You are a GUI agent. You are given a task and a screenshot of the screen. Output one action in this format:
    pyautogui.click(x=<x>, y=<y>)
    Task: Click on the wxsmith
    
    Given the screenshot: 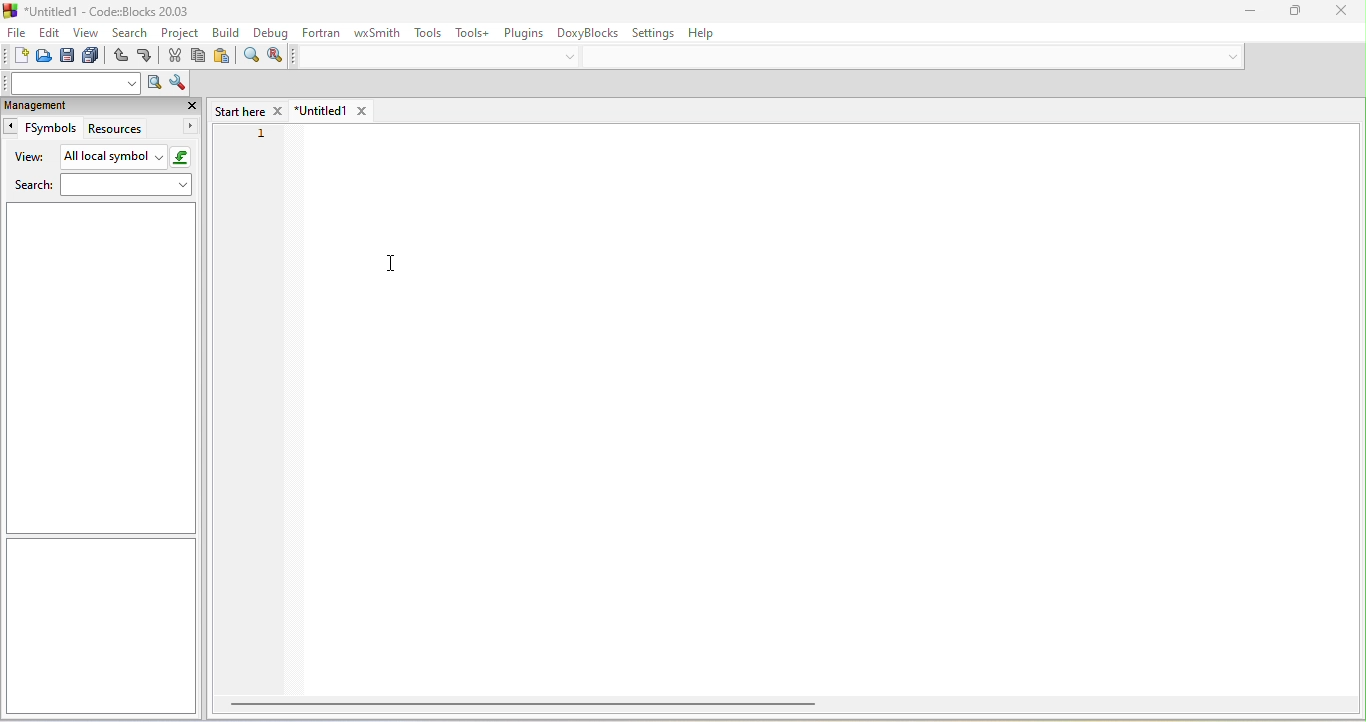 What is the action you would take?
    pyautogui.click(x=377, y=36)
    